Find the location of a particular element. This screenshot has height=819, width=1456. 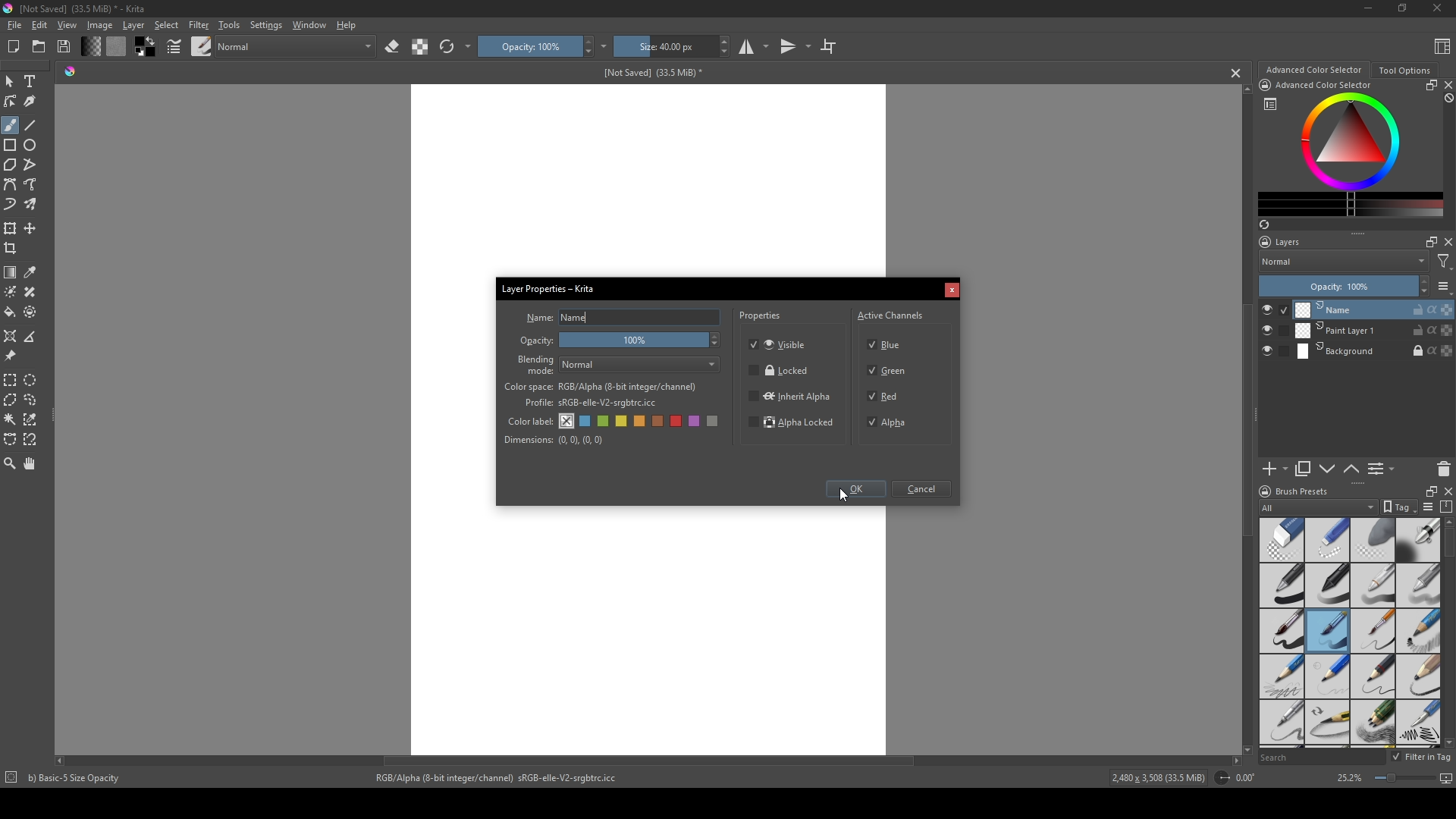

line is located at coordinates (31, 125).